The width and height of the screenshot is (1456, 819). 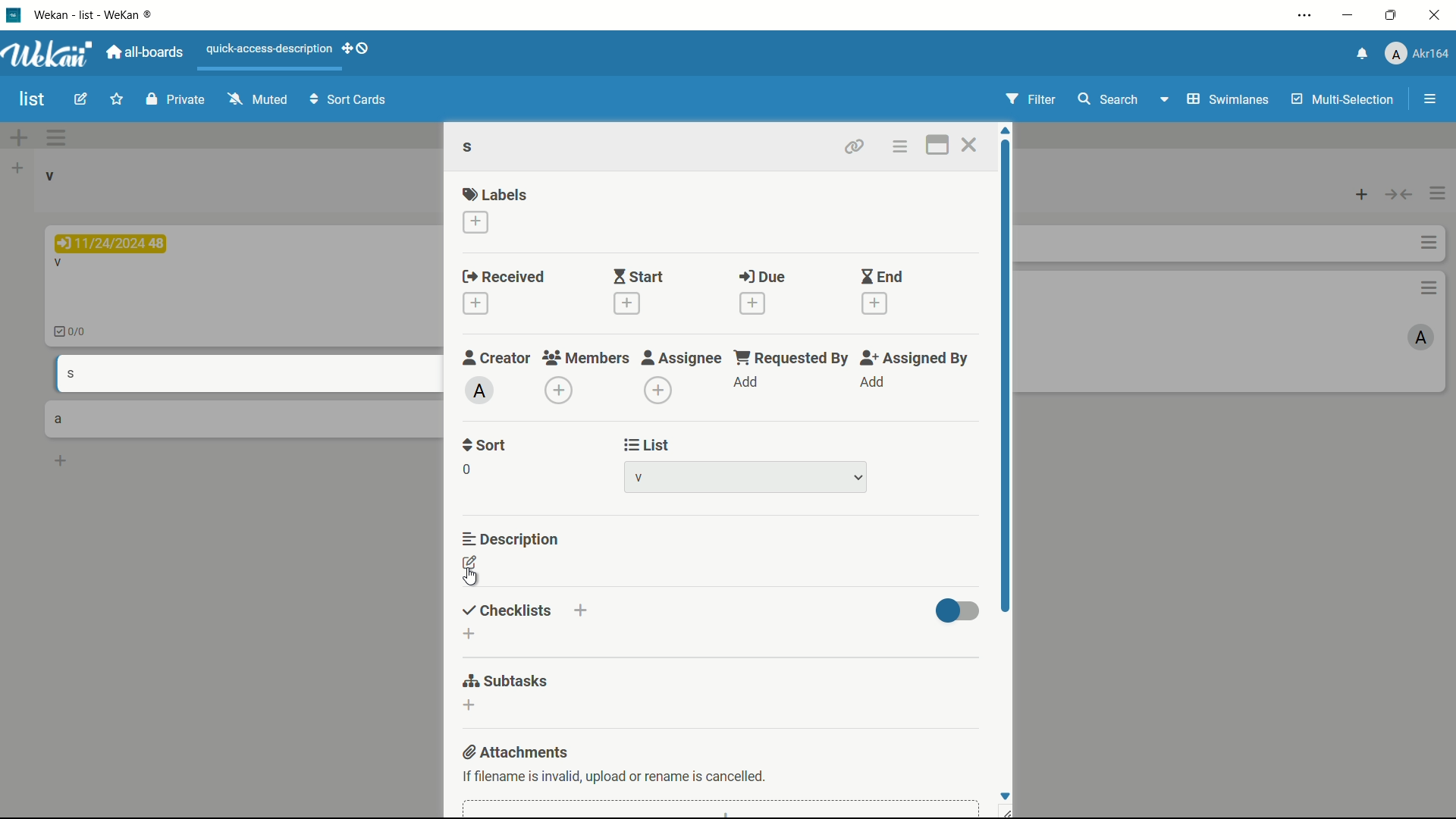 What do you see at coordinates (1350, 15) in the screenshot?
I see `minimize` at bounding box center [1350, 15].